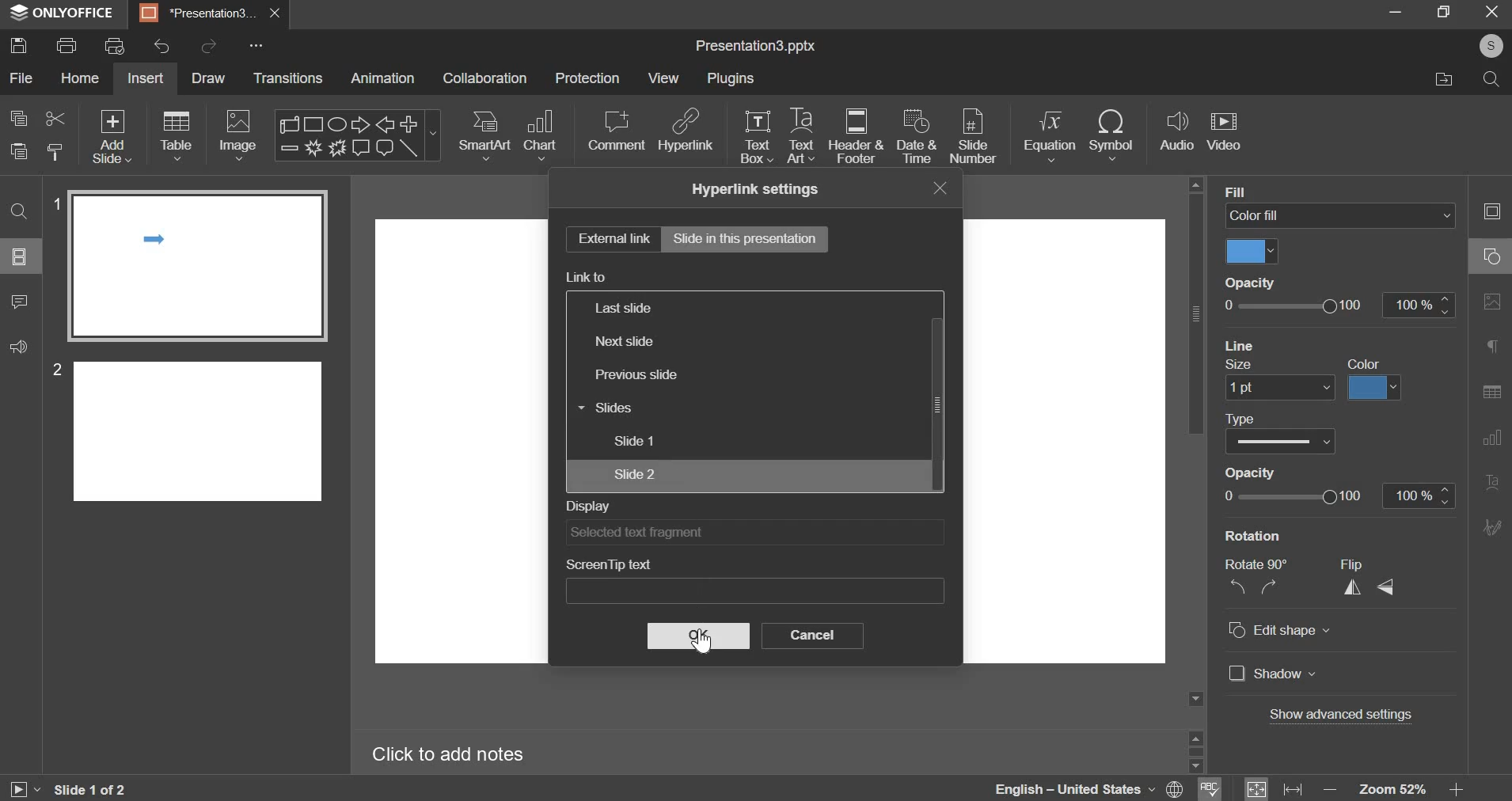  I want to click on increase/decrease opacity, so click(1419, 496).